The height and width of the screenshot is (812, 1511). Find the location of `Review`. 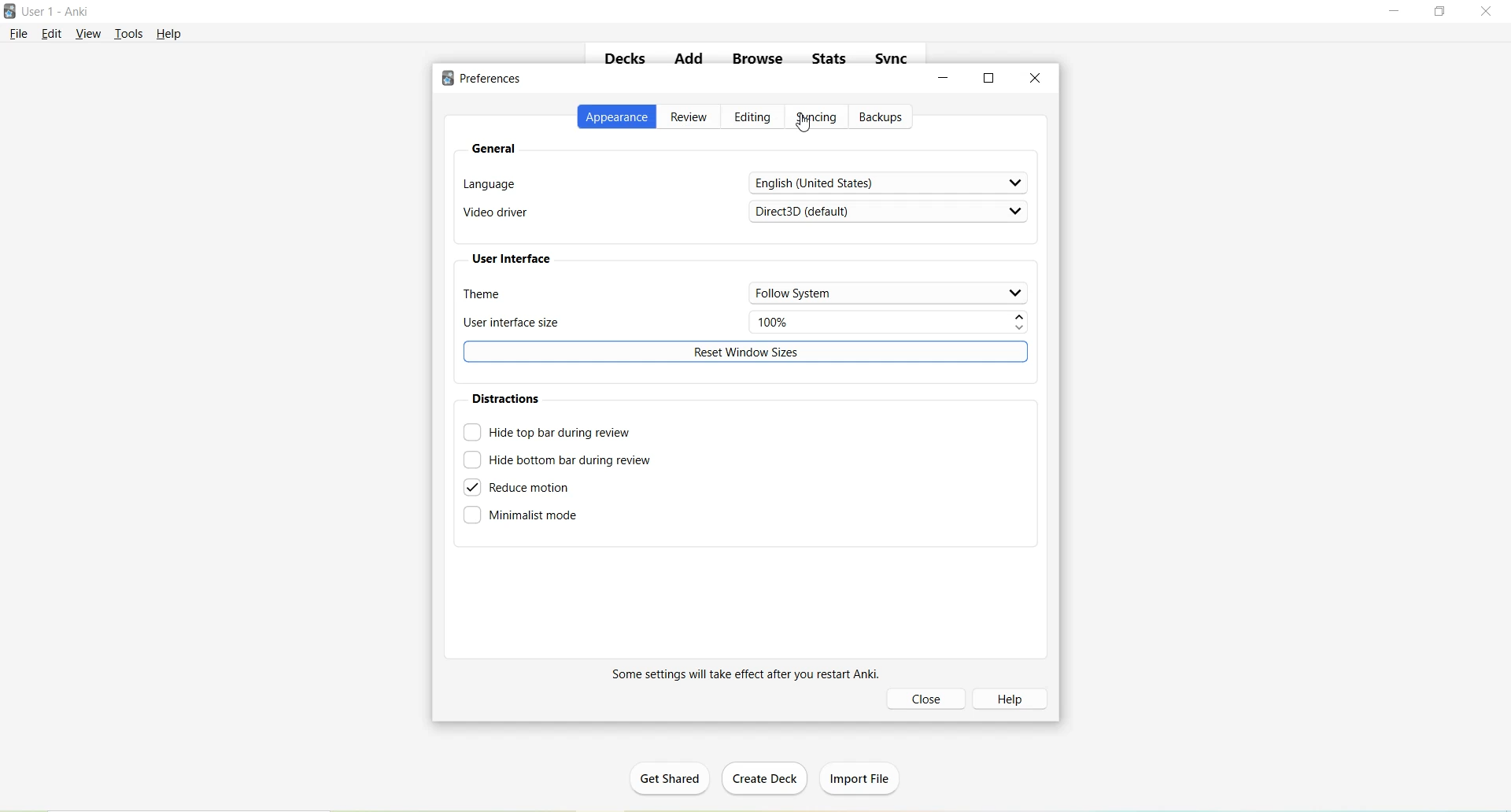

Review is located at coordinates (690, 118).